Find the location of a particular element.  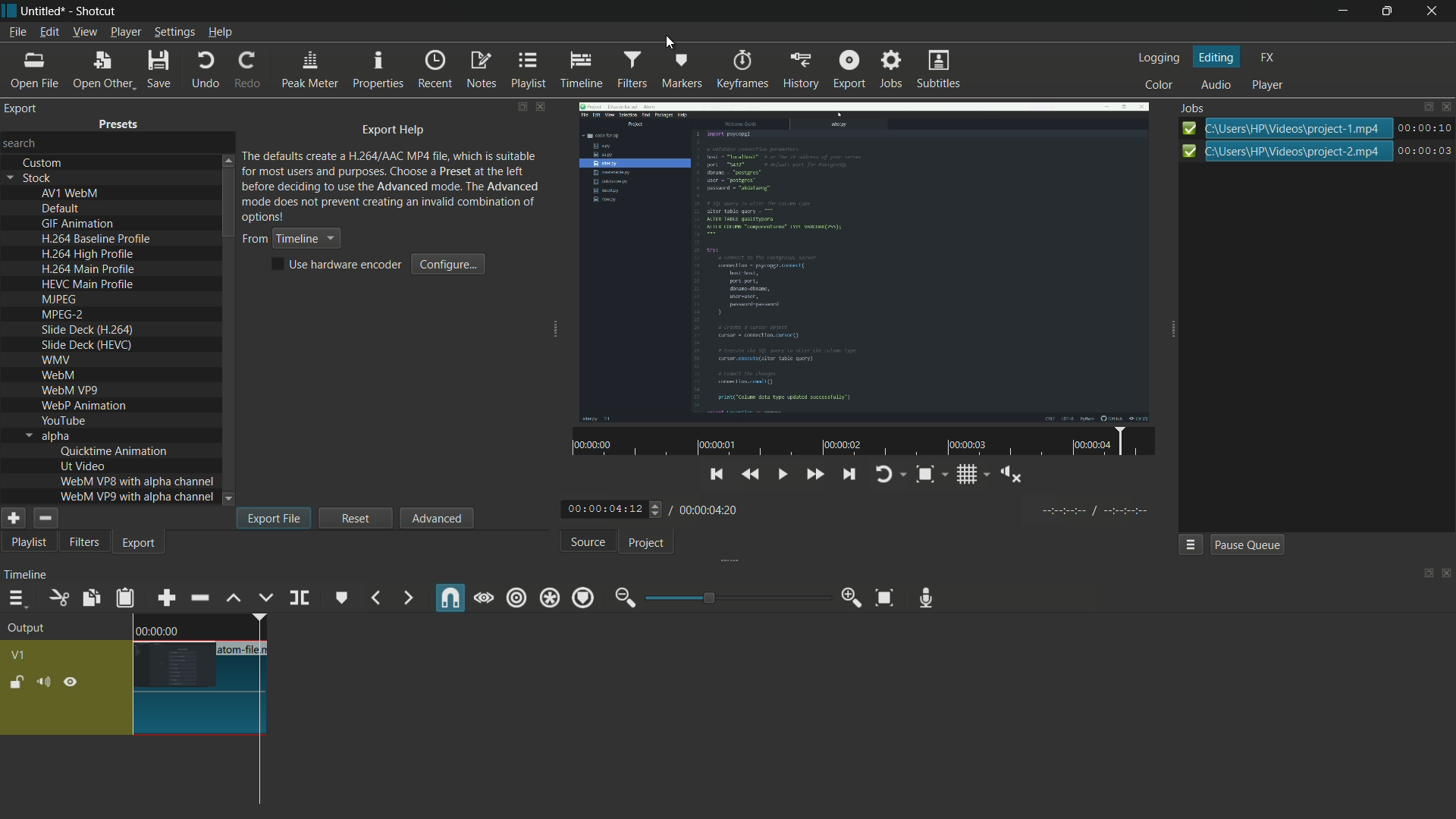

scroll down is located at coordinates (230, 499).